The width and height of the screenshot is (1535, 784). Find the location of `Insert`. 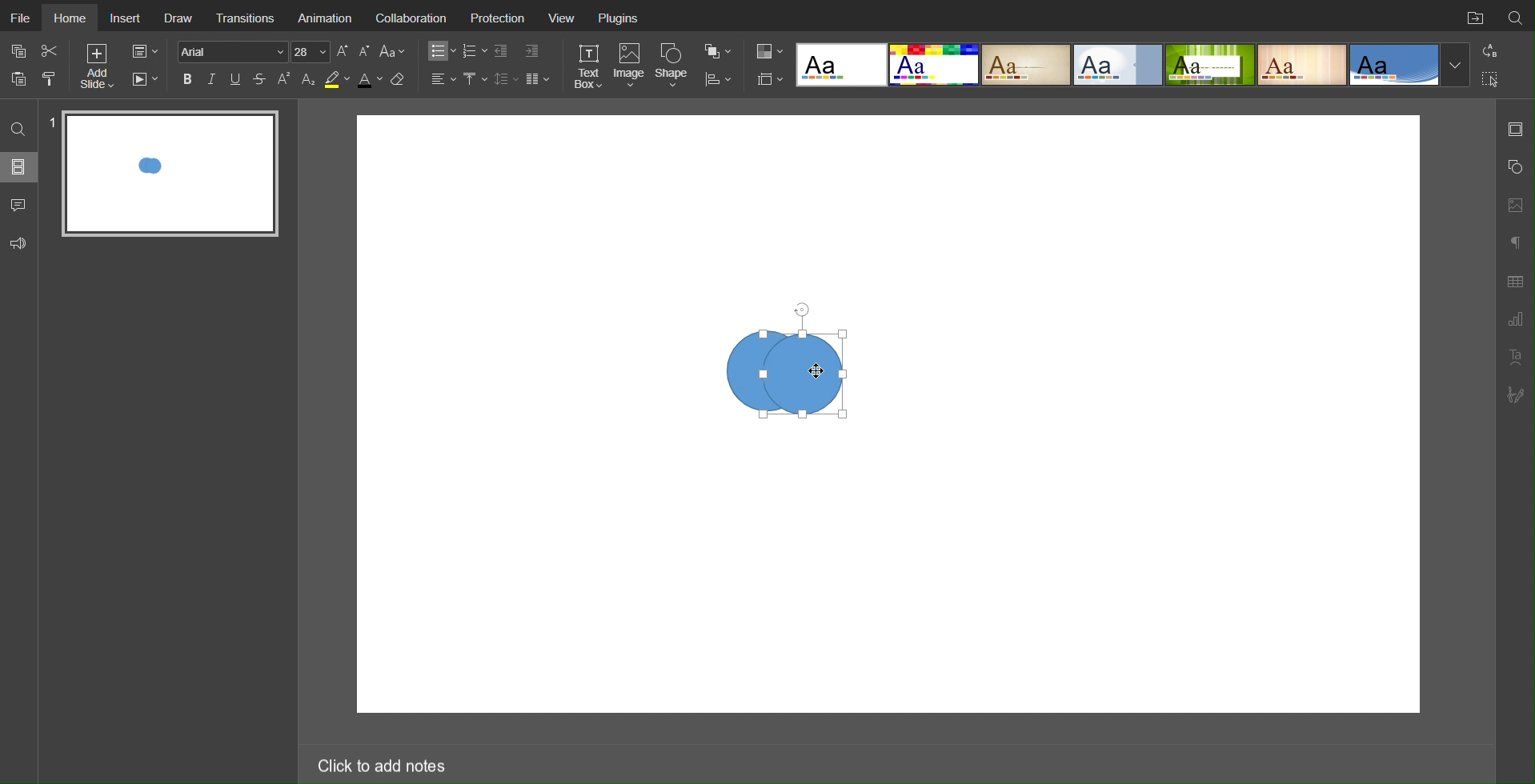

Insert is located at coordinates (128, 18).